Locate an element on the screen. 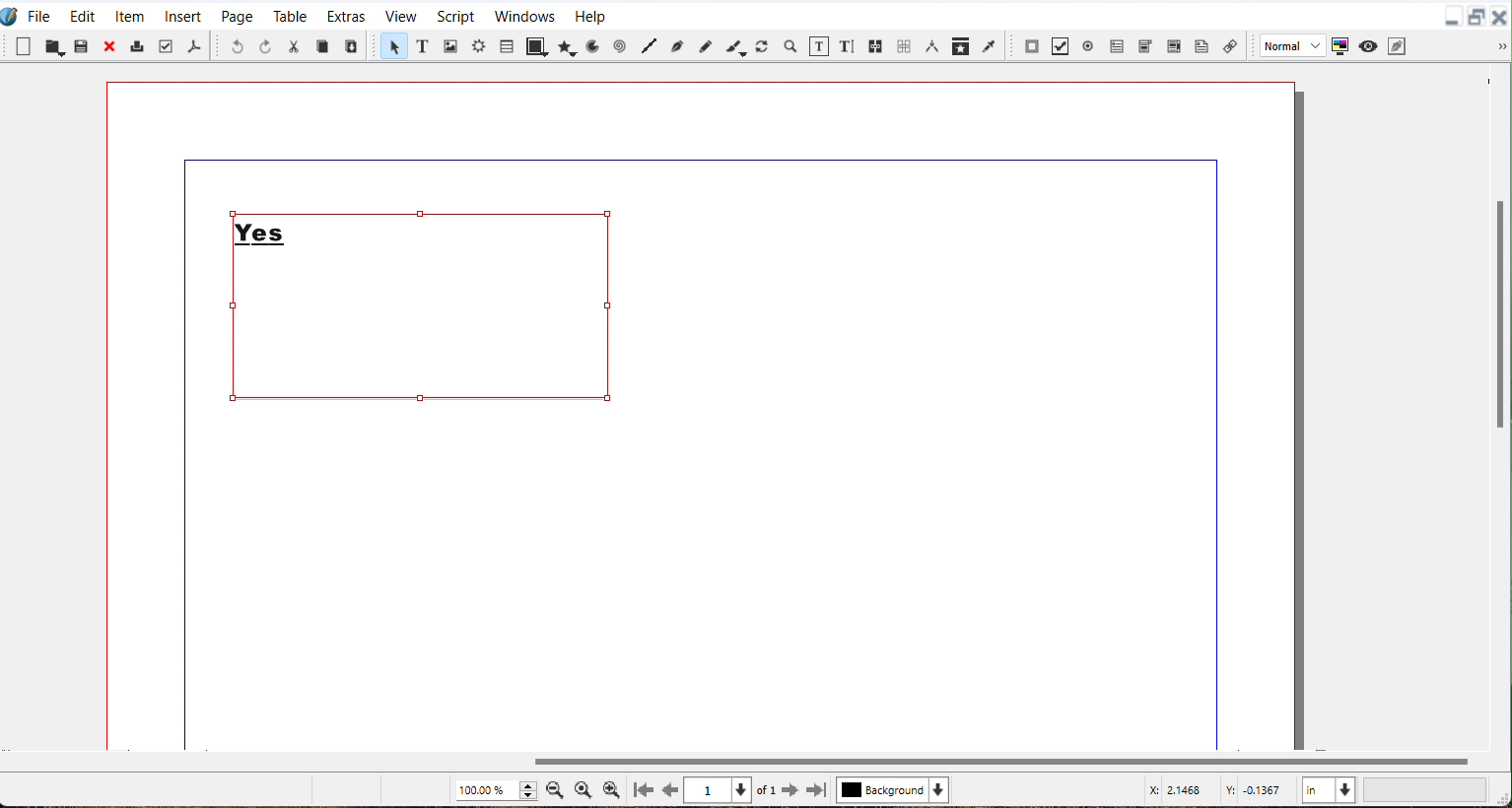 The height and width of the screenshot is (808, 1512). Minimize is located at coordinates (1452, 16).